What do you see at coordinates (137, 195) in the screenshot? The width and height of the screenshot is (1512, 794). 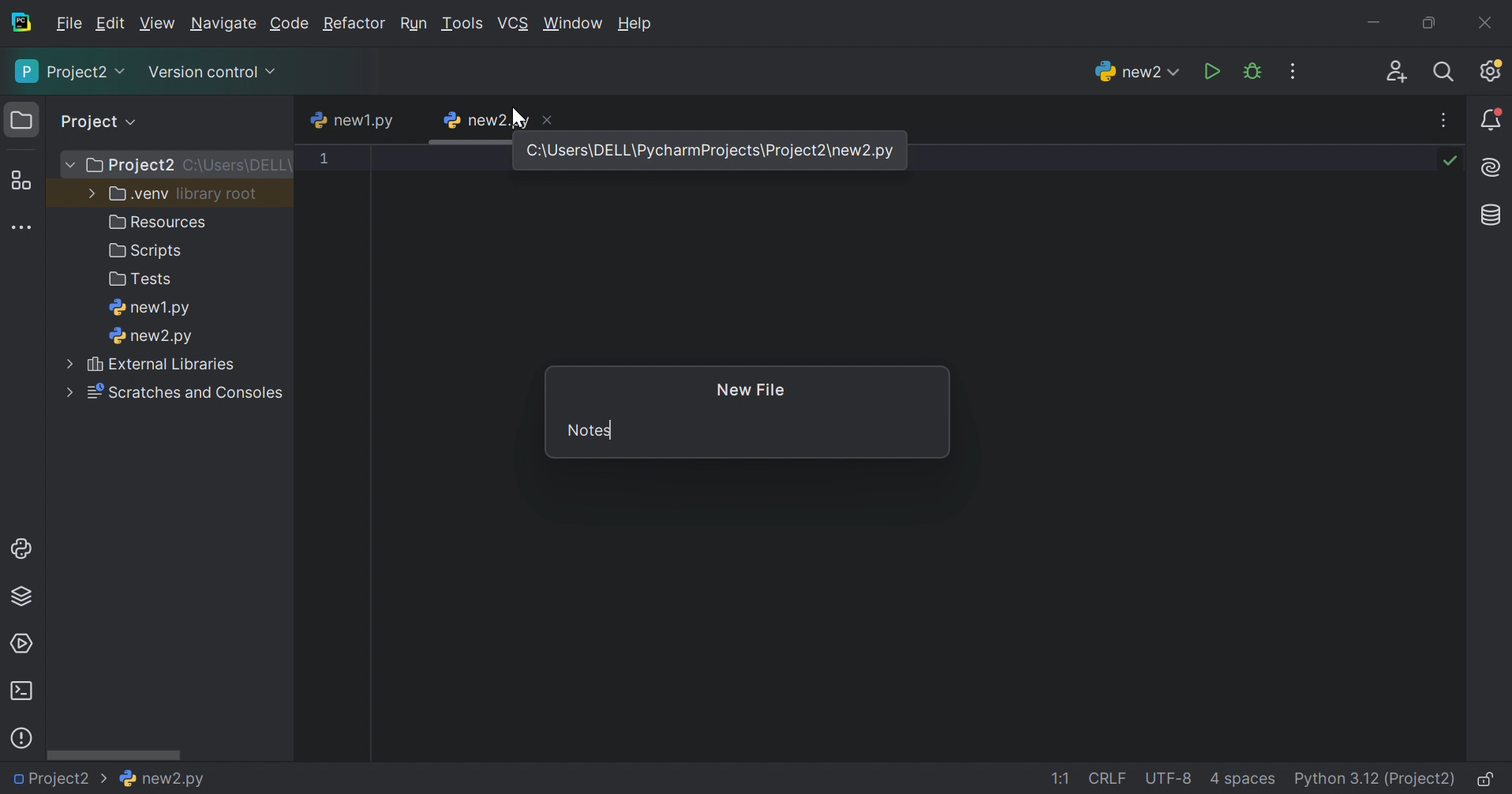 I see `.venv` at bounding box center [137, 195].